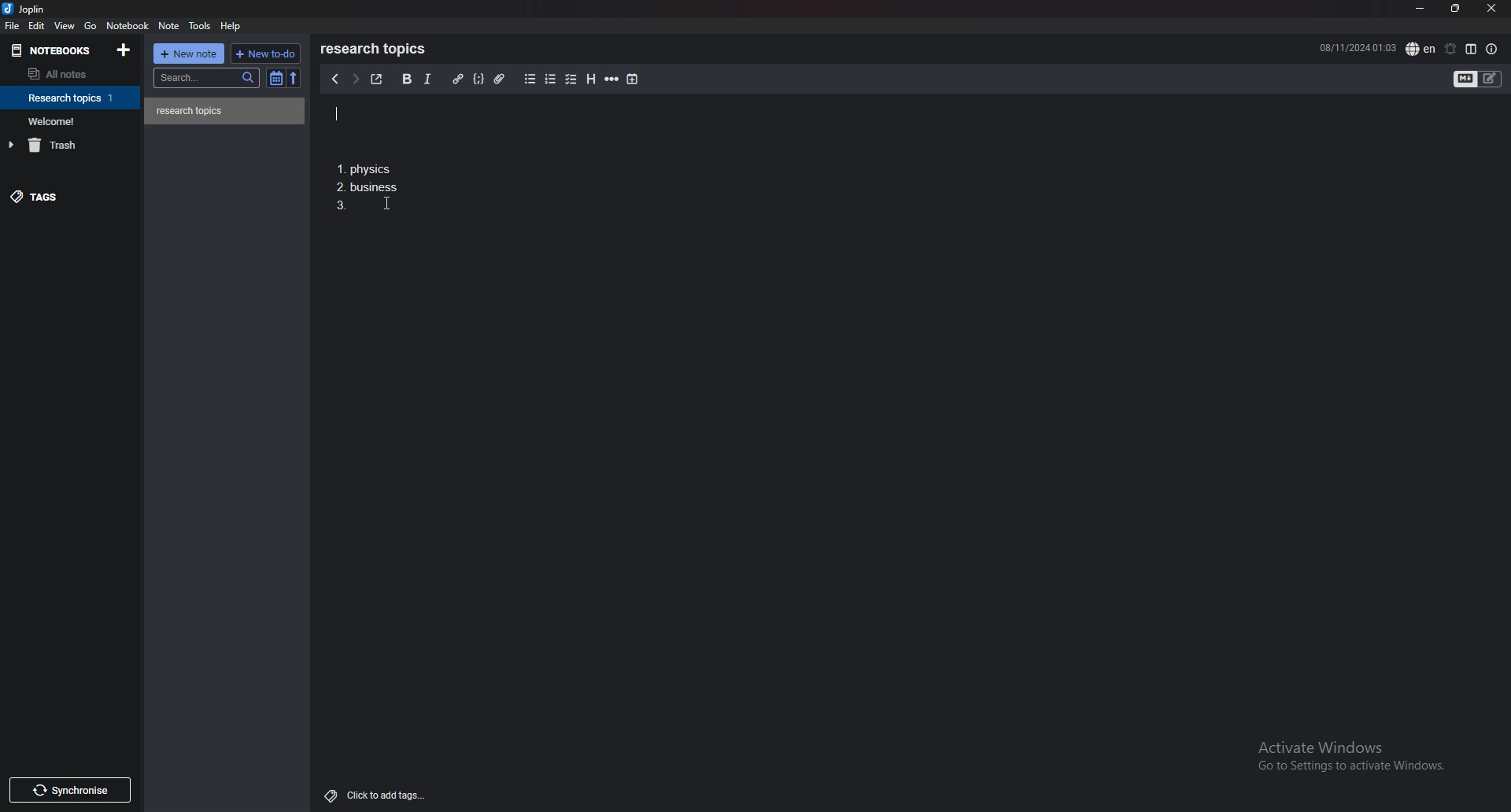 The image size is (1511, 812). Describe the element at coordinates (552, 79) in the screenshot. I see `numbered list` at that location.